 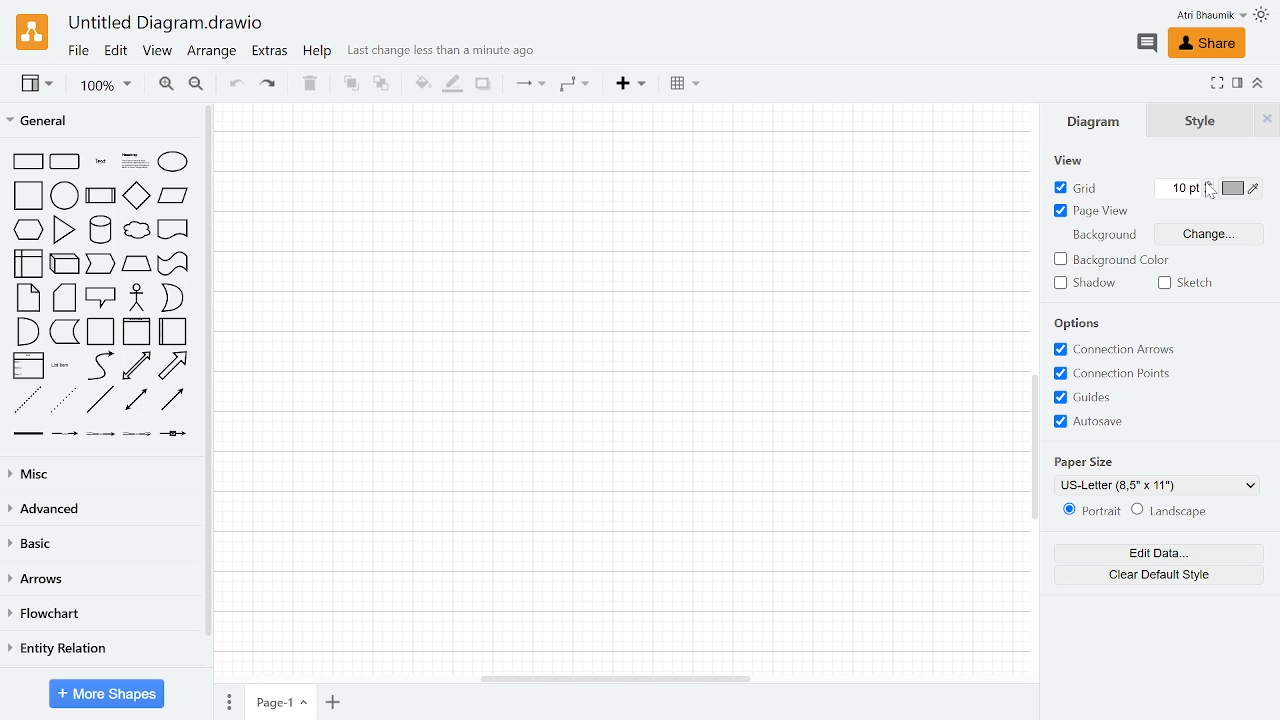 What do you see at coordinates (101, 580) in the screenshot?
I see `Arrows` at bounding box center [101, 580].